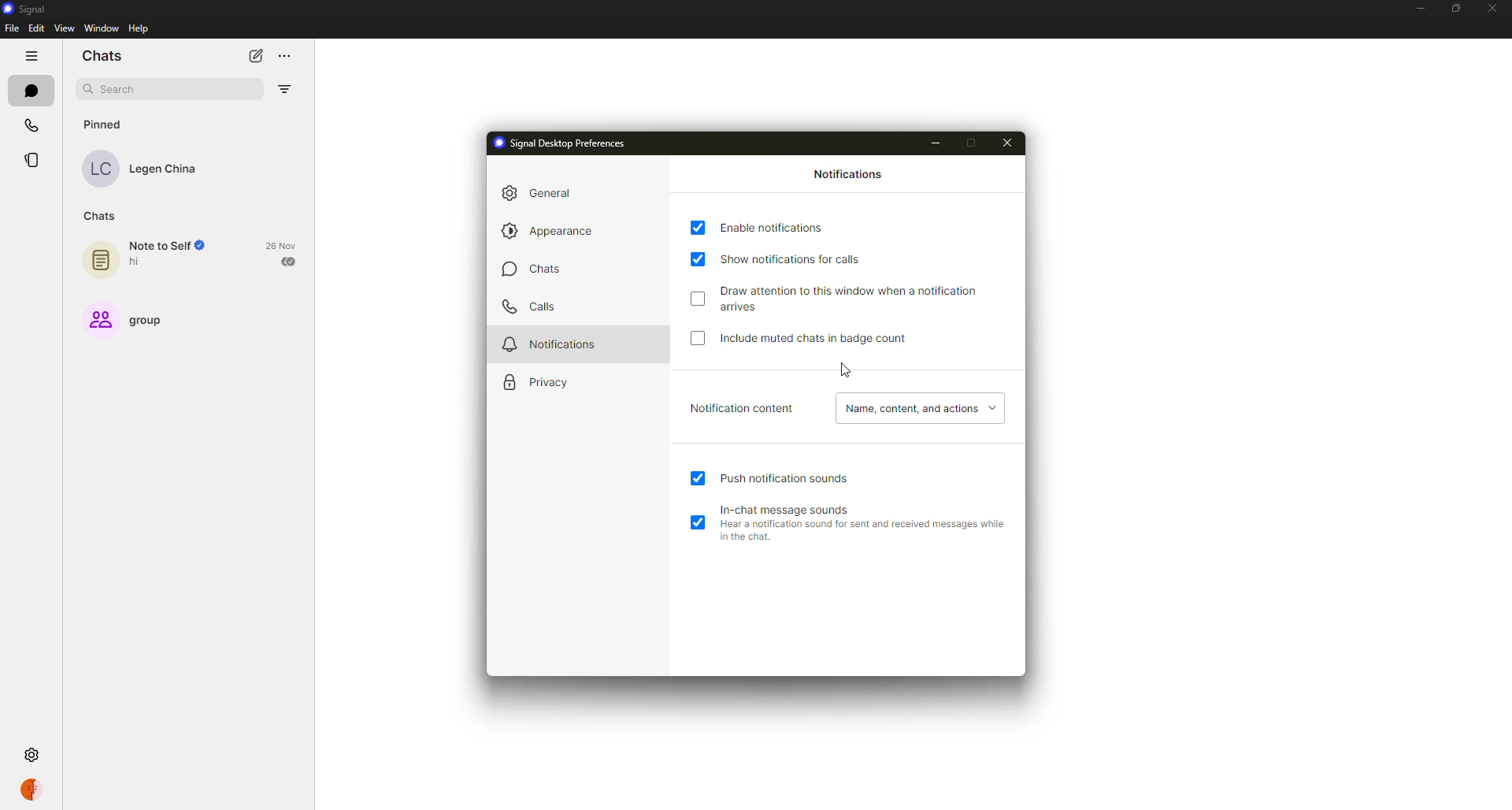 The width and height of the screenshot is (1512, 810). Describe the element at coordinates (35, 756) in the screenshot. I see `settings` at that location.